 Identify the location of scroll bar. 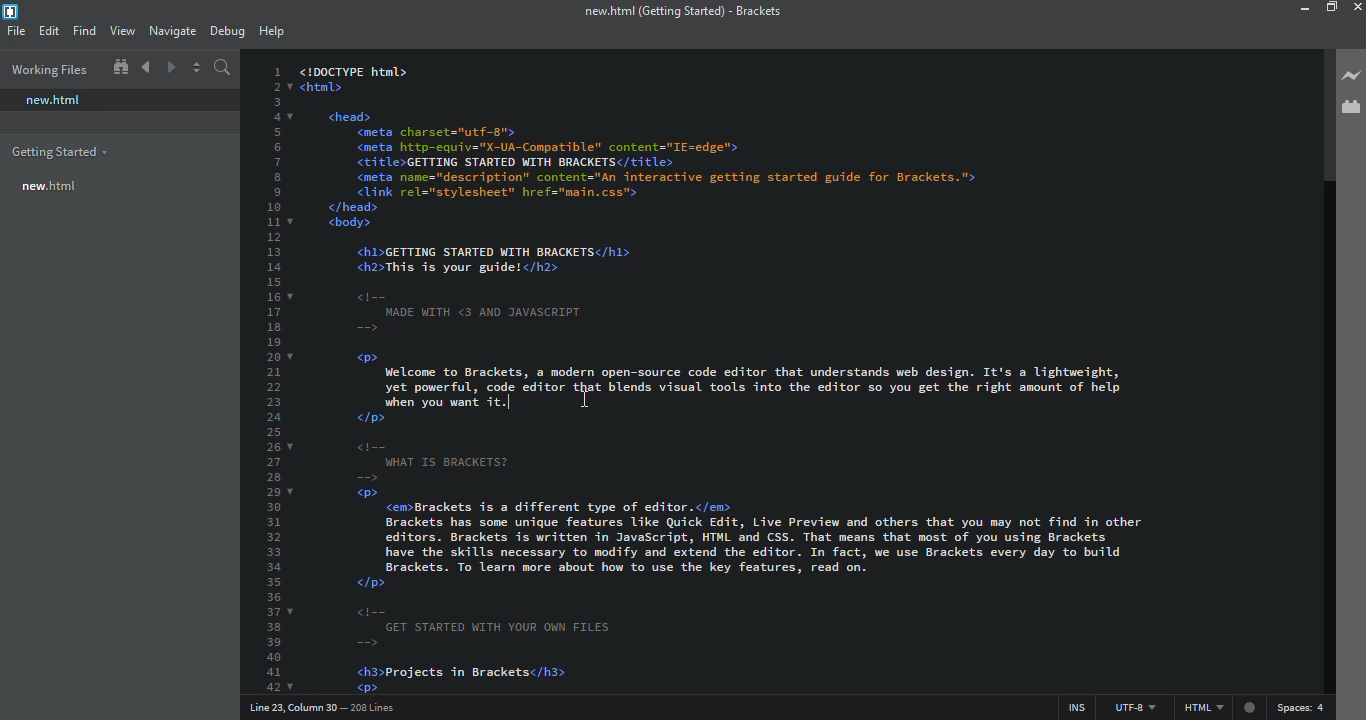
(1318, 115).